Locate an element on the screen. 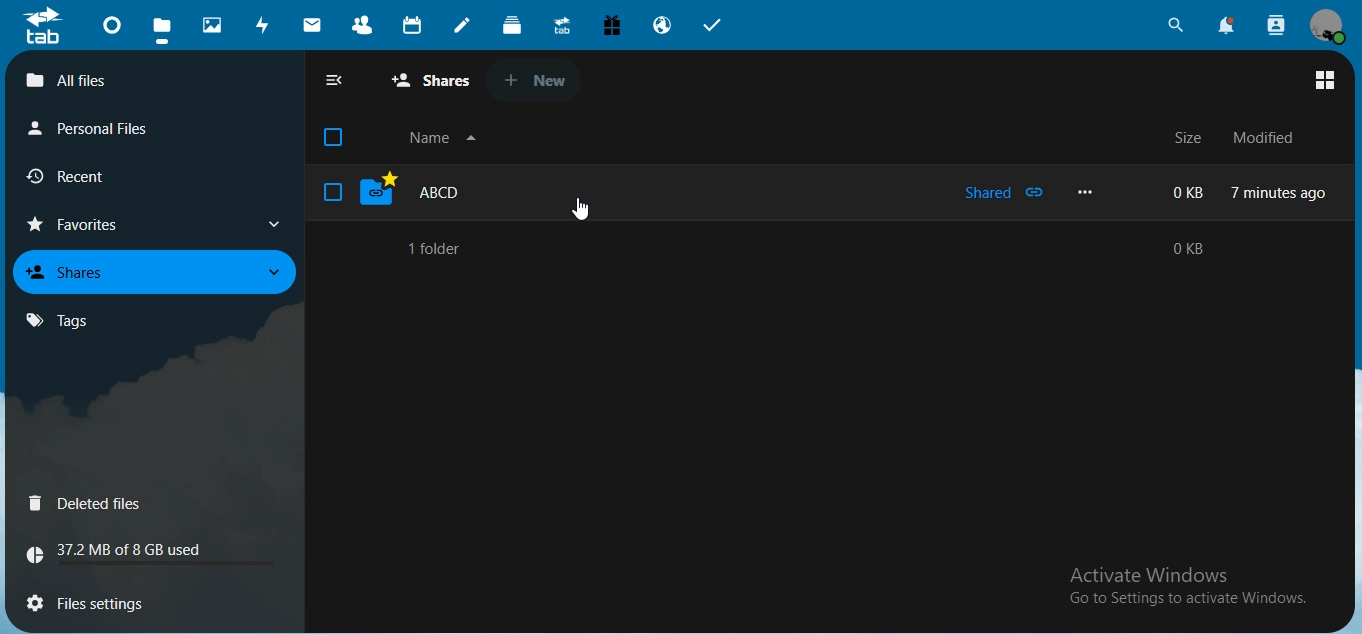 The width and height of the screenshot is (1362, 634). files is located at coordinates (161, 27).